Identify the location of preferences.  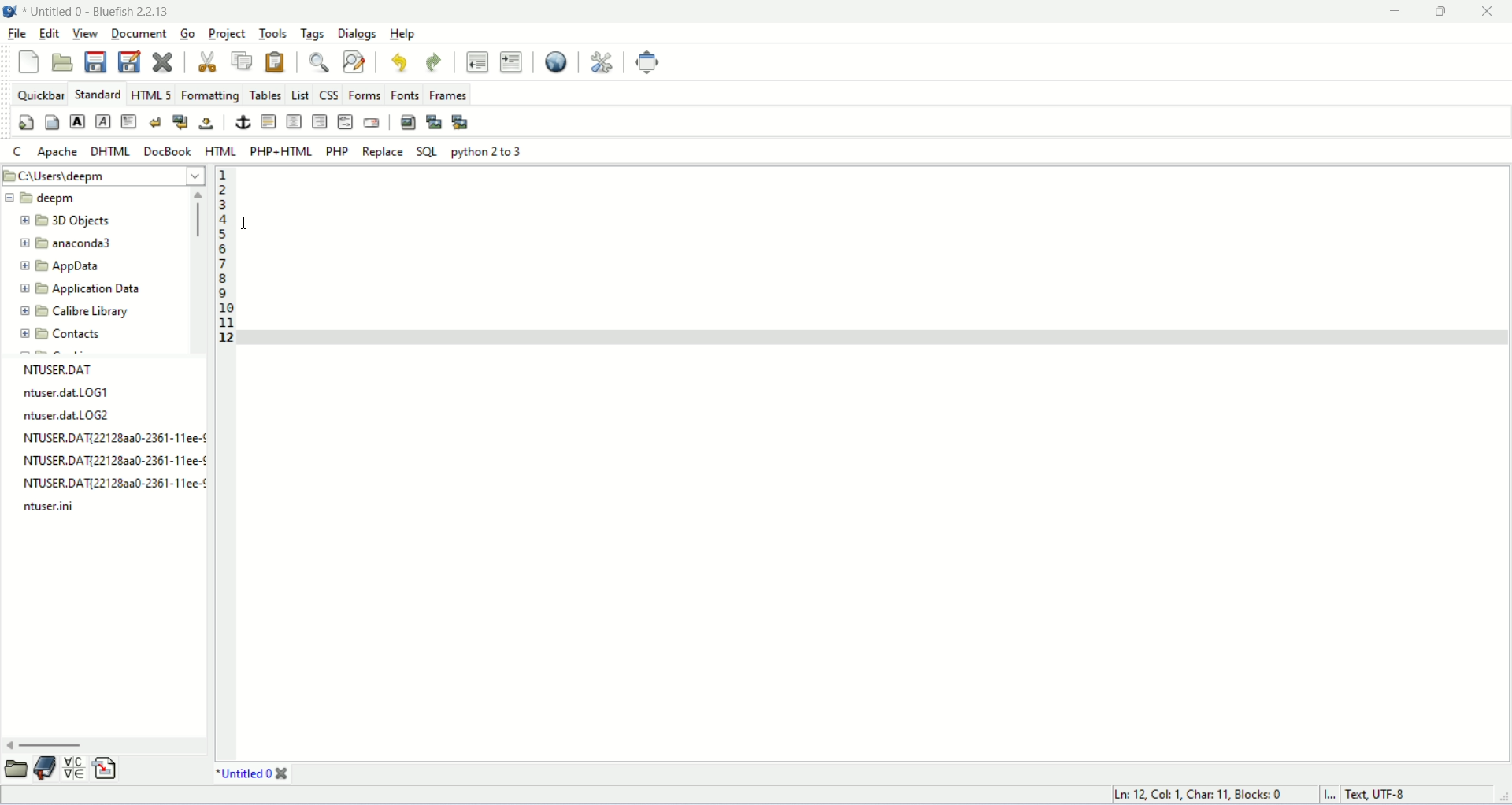
(603, 63).